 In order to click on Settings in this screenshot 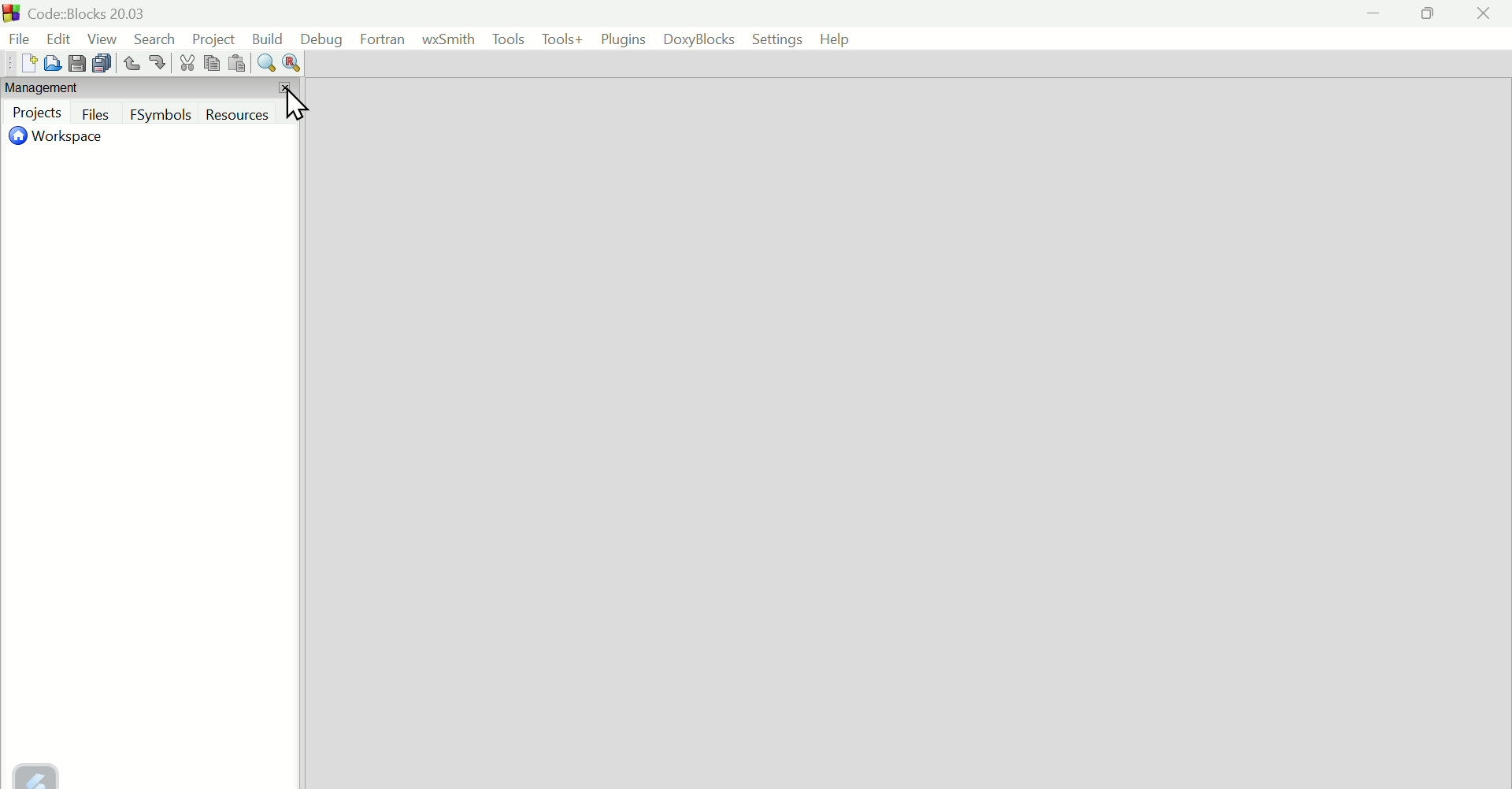, I will do `click(777, 39)`.